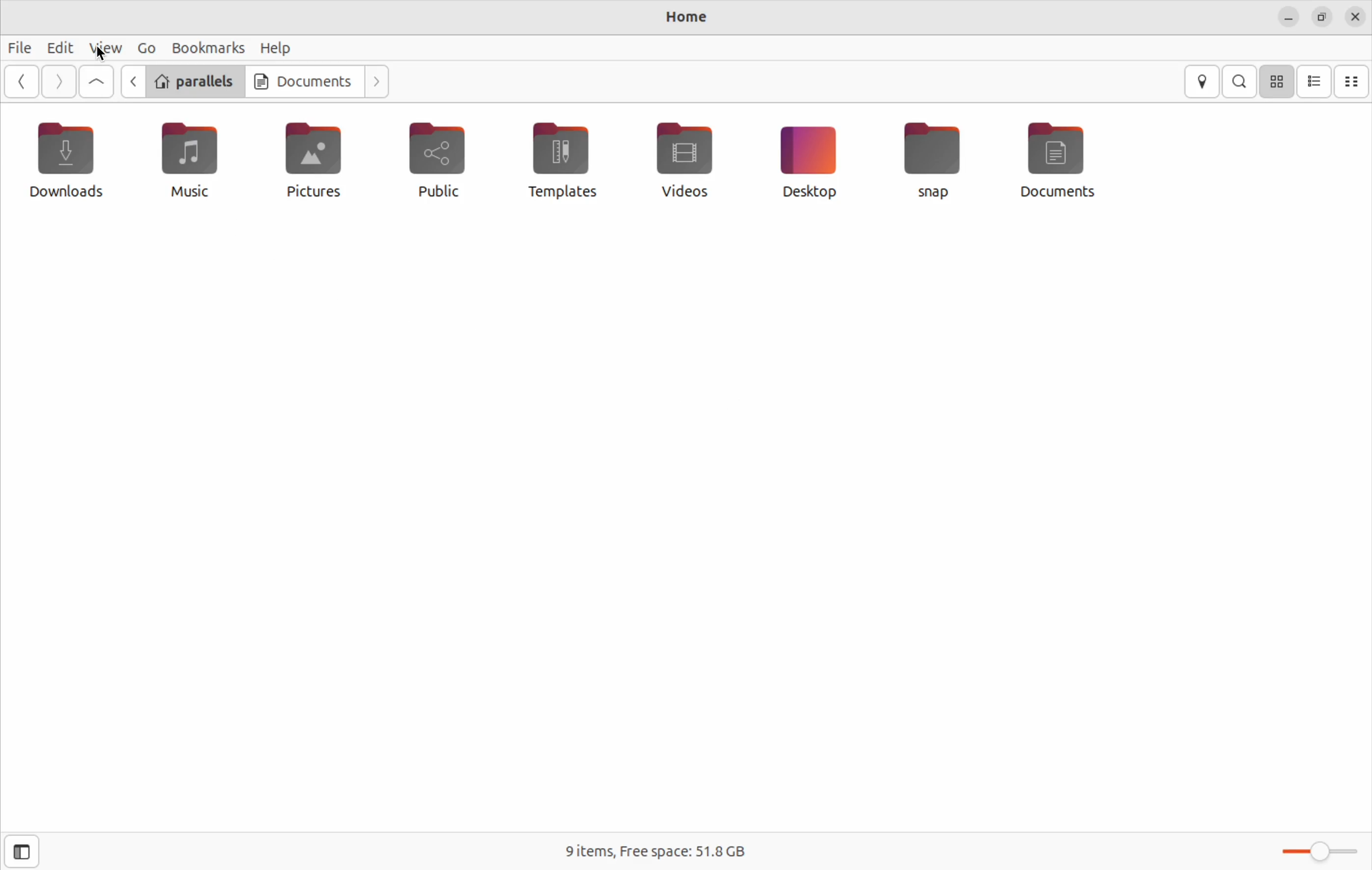 The width and height of the screenshot is (1372, 870). Describe the element at coordinates (276, 47) in the screenshot. I see `Help` at that location.